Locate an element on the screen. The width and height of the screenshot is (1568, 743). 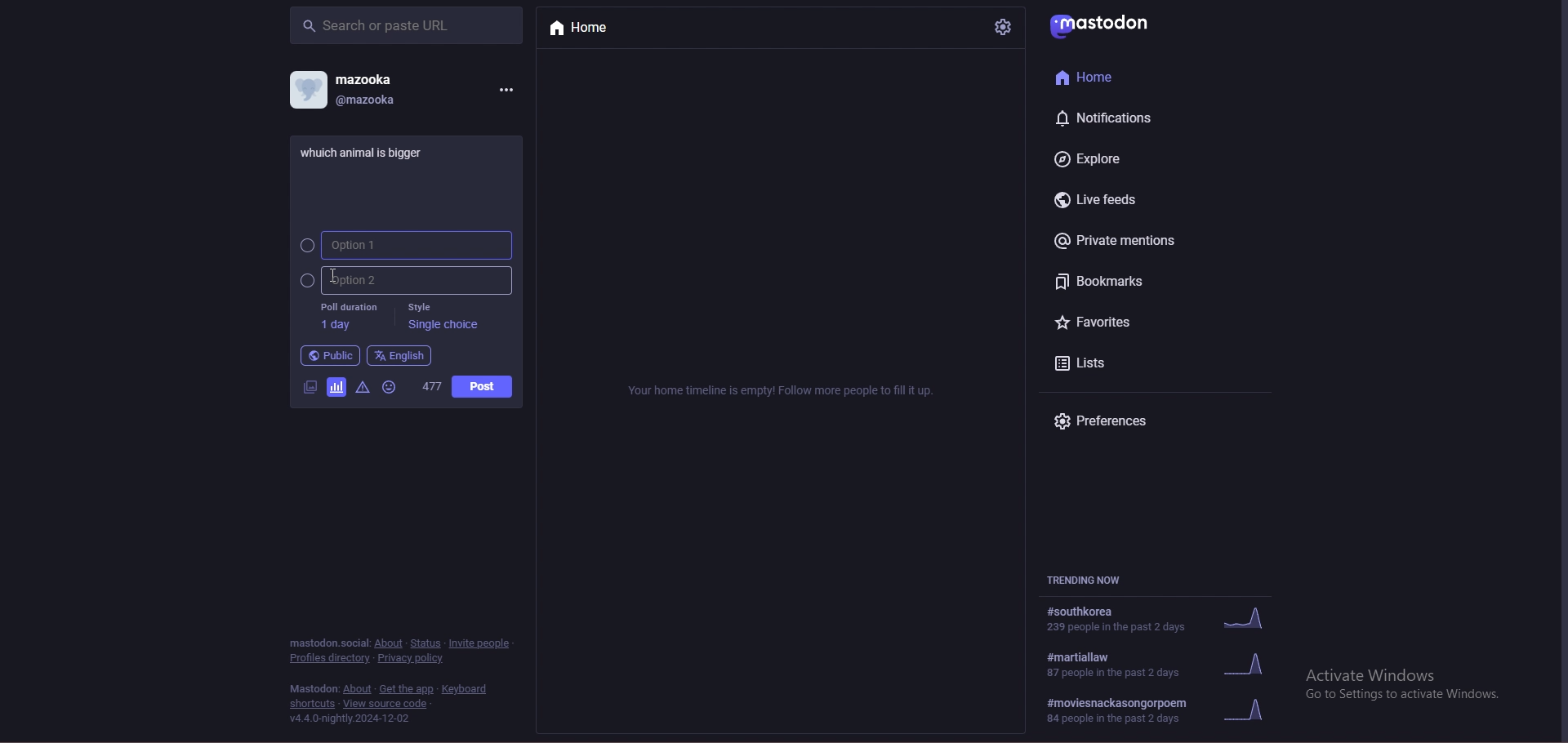
language is located at coordinates (399, 355).